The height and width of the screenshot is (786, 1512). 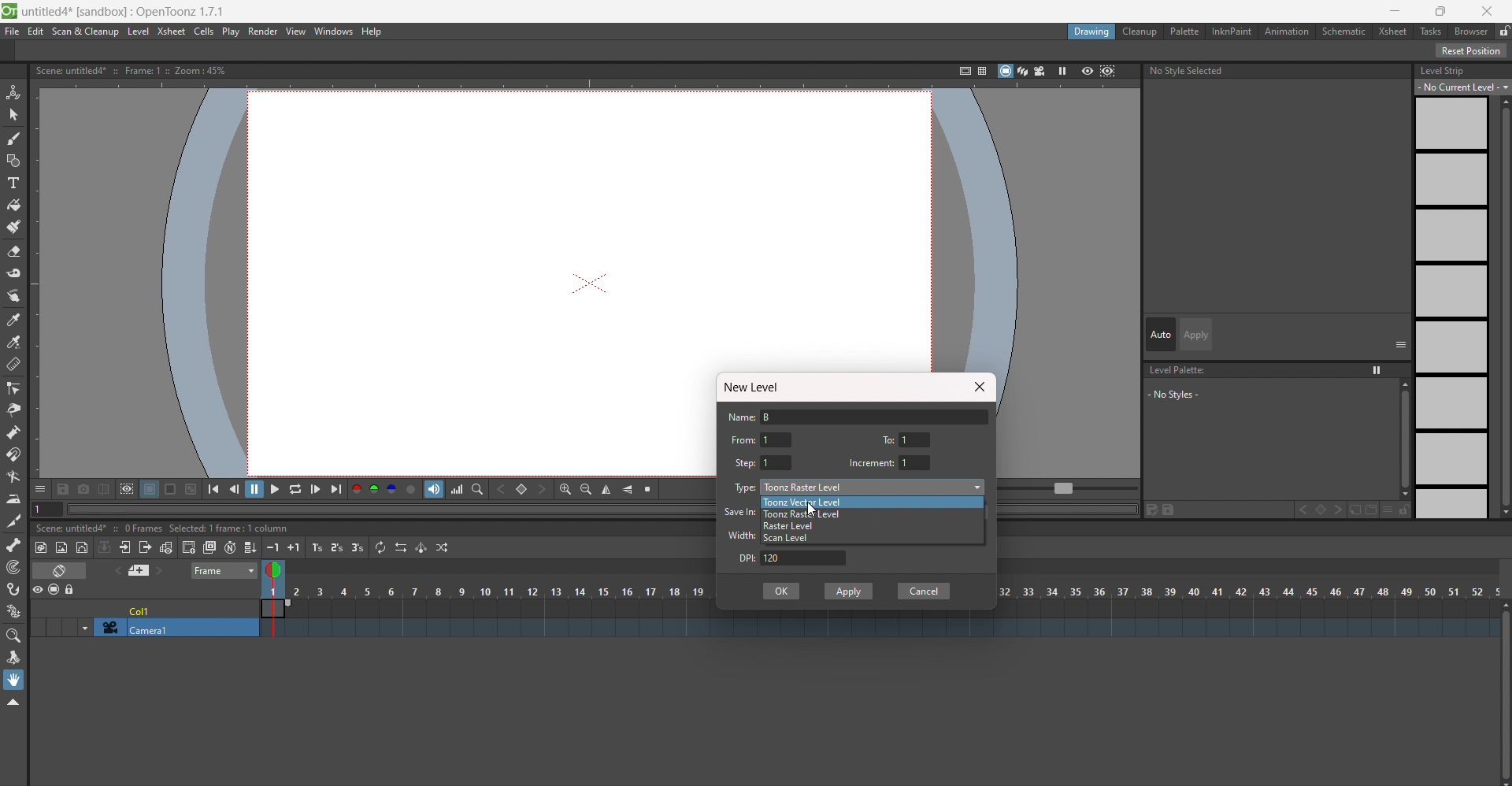 What do you see at coordinates (743, 439) in the screenshot?
I see `from` at bounding box center [743, 439].